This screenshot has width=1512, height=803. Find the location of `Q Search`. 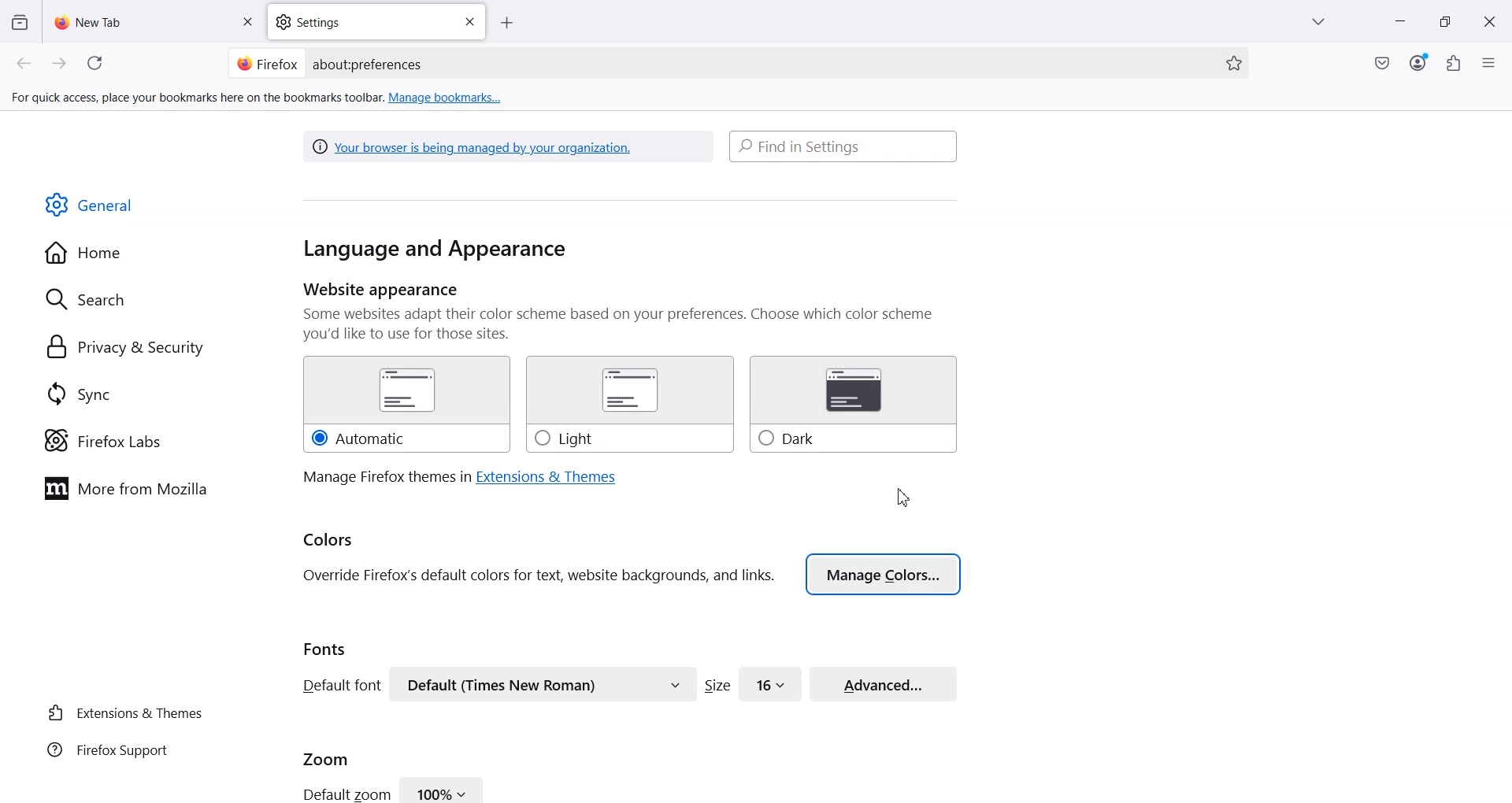

Q Search is located at coordinates (93, 298).